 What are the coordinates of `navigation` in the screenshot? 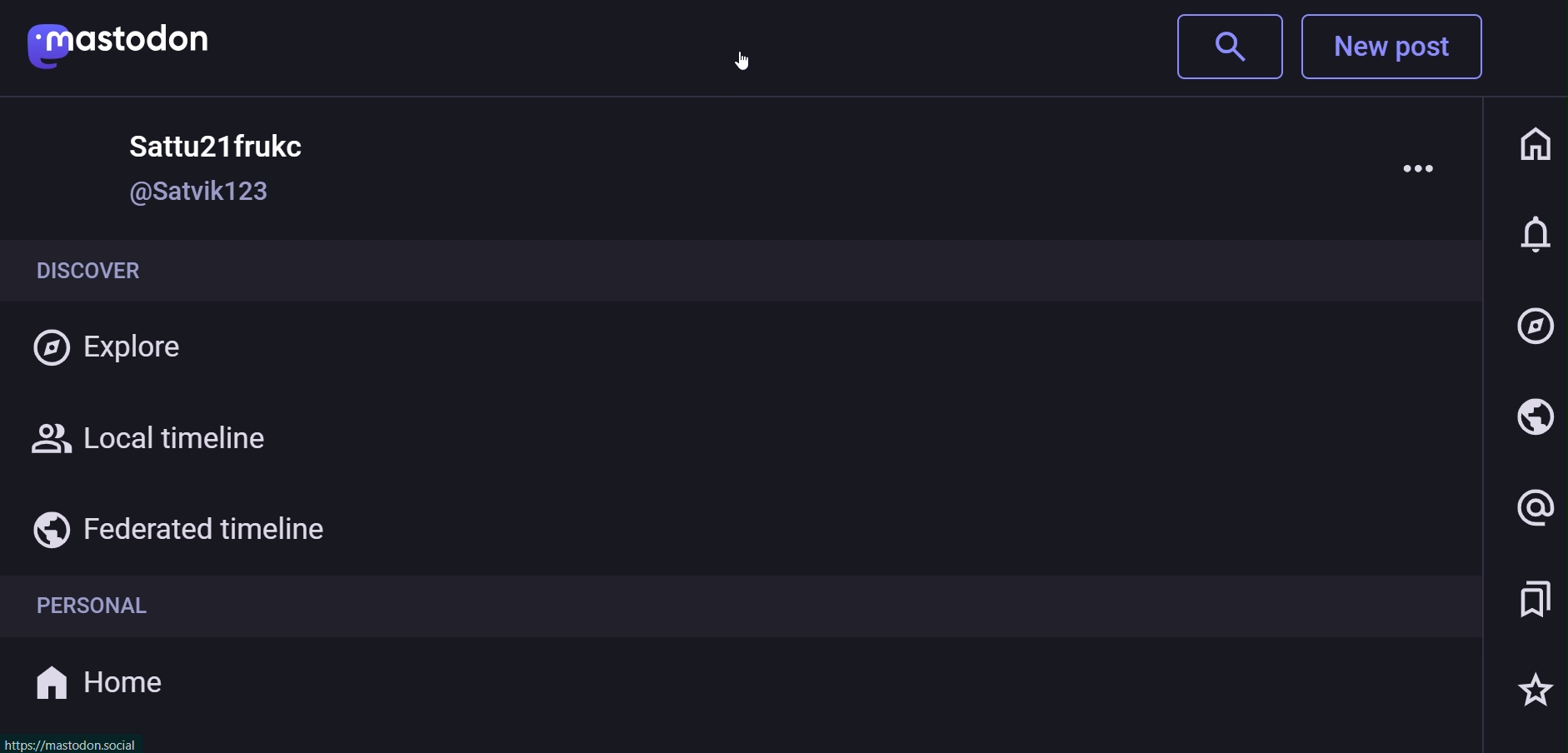 It's located at (1536, 327).